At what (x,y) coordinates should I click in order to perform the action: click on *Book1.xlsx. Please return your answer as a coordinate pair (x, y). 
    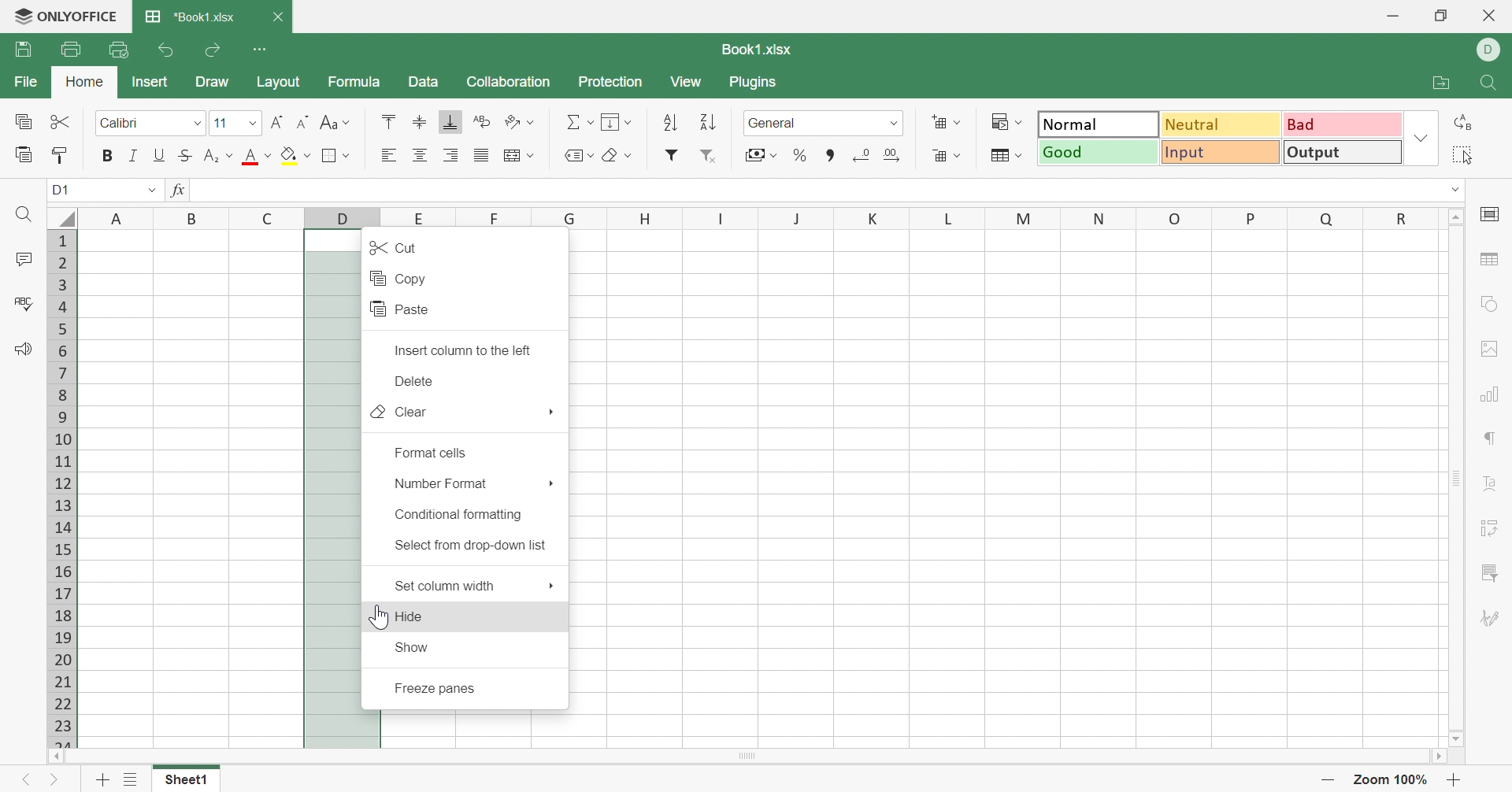
    Looking at the image, I should click on (190, 13).